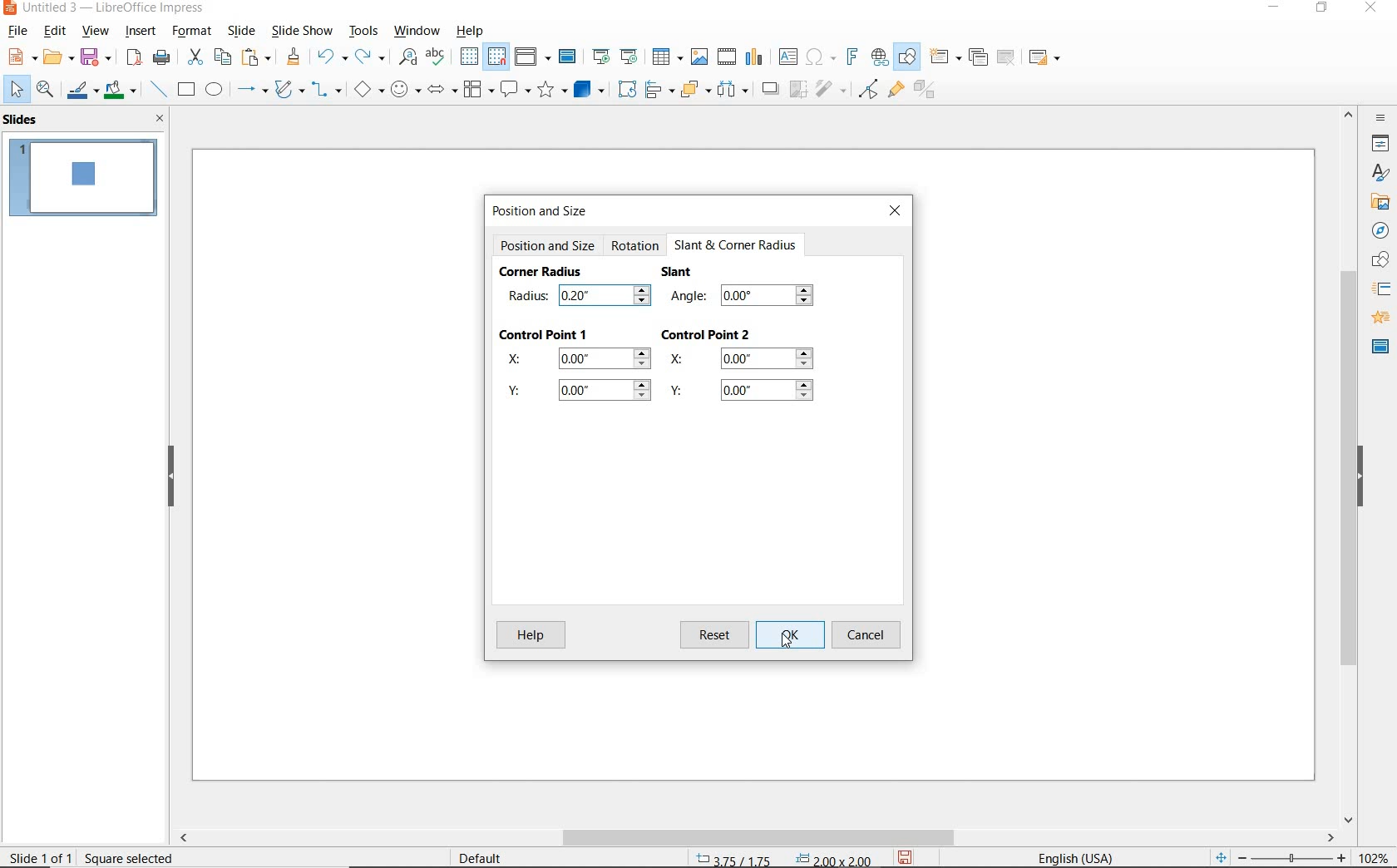 The width and height of the screenshot is (1397, 868). What do you see at coordinates (787, 56) in the screenshot?
I see `insert text box` at bounding box center [787, 56].